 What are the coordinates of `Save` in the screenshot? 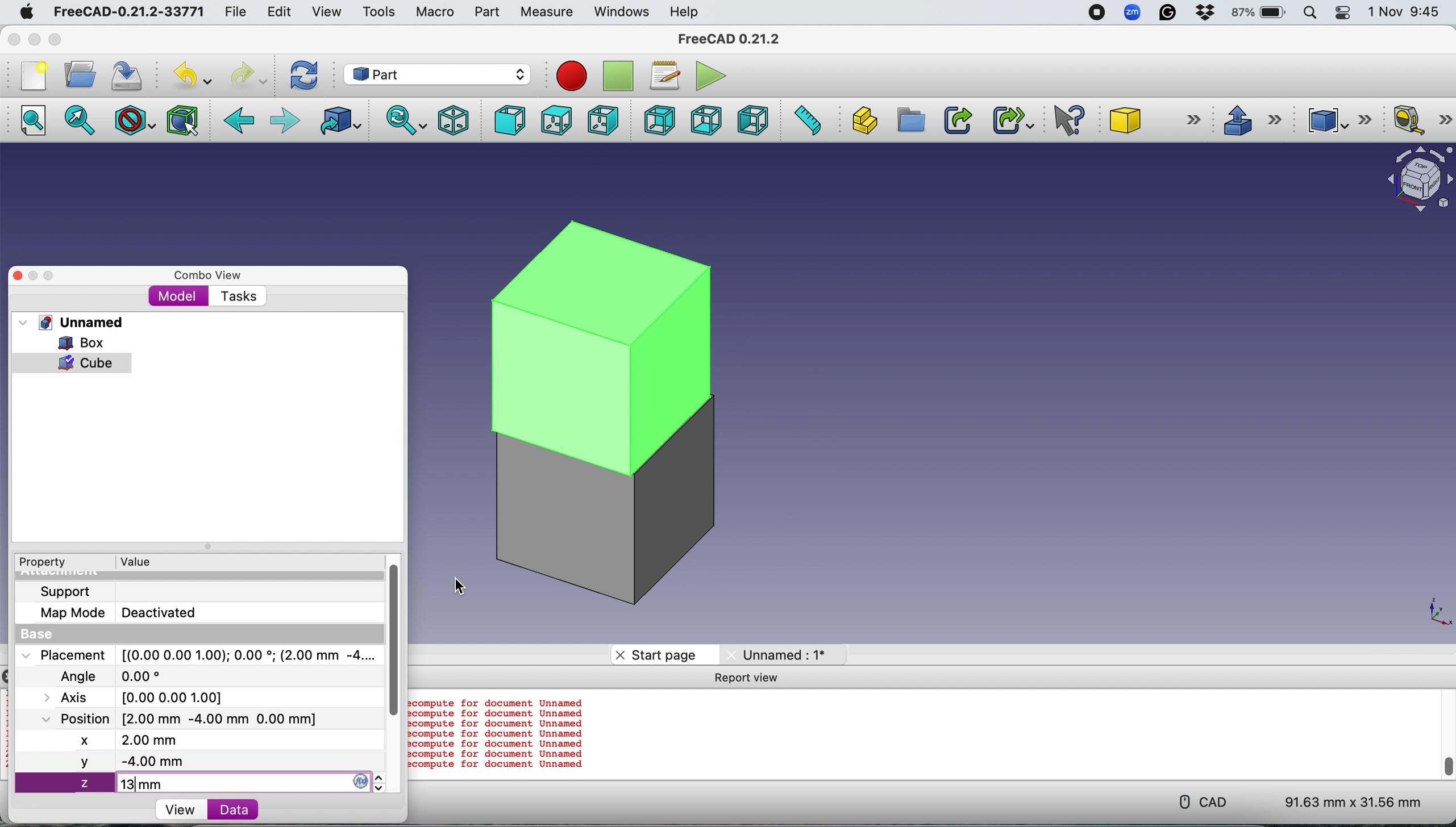 It's located at (130, 73).